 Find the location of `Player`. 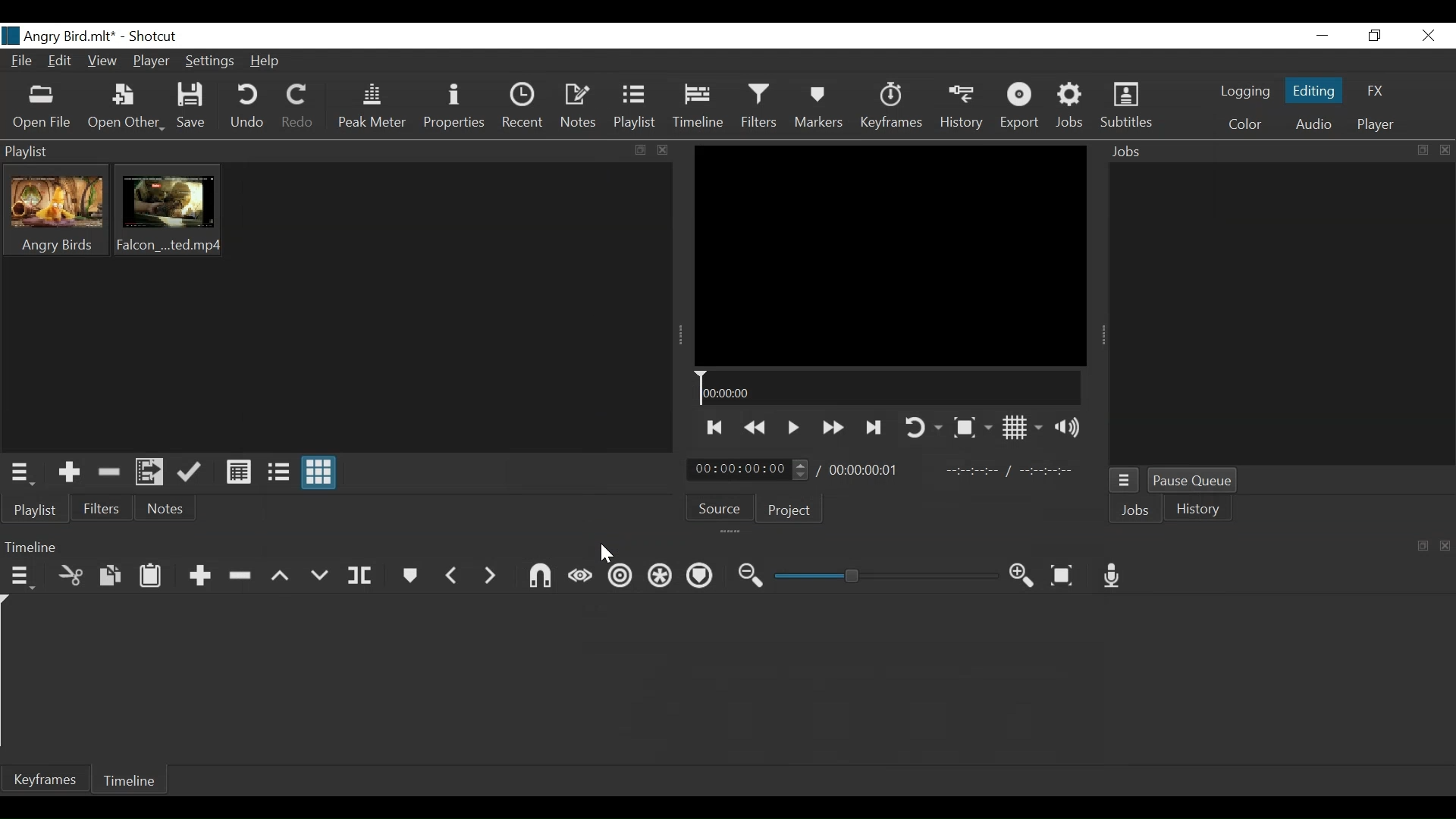

Player is located at coordinates (1373, 125).